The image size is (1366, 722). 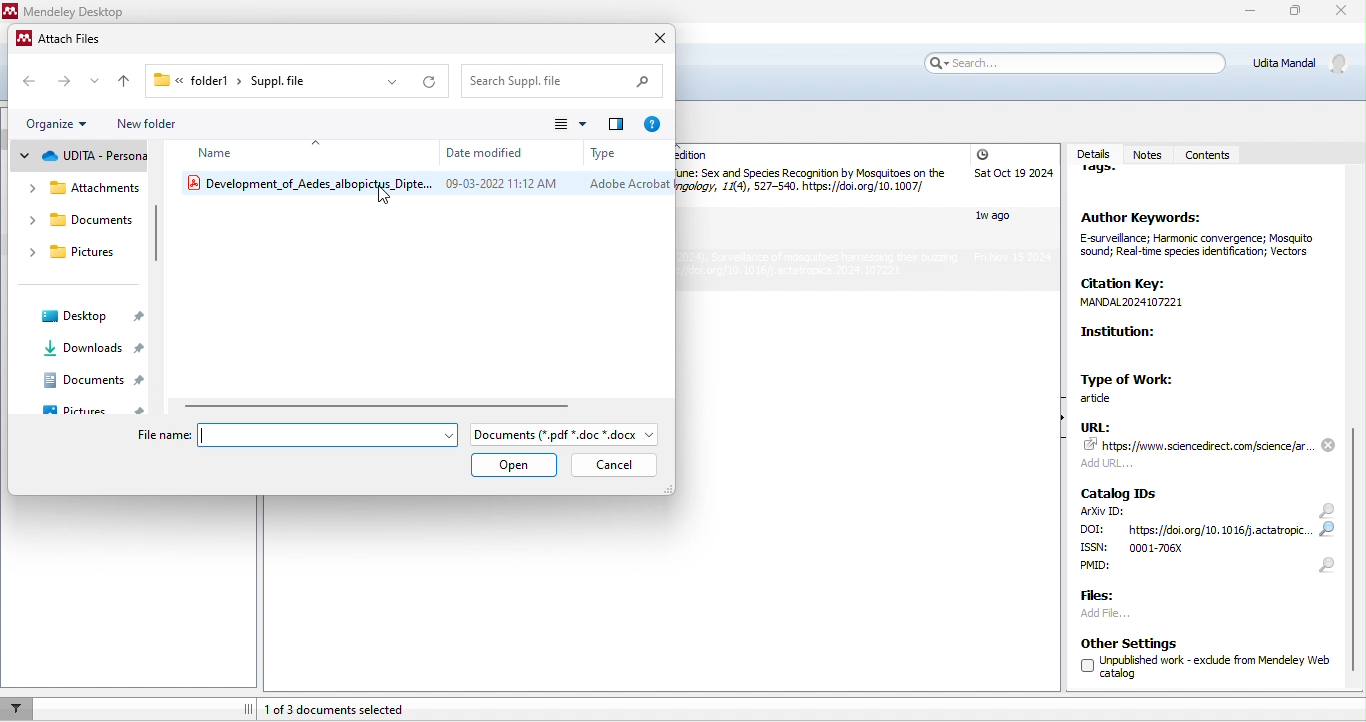 What do you see at coordinates (1210, 156) in the screenshot?
I see `contents` at bounding box center [1210, 156].